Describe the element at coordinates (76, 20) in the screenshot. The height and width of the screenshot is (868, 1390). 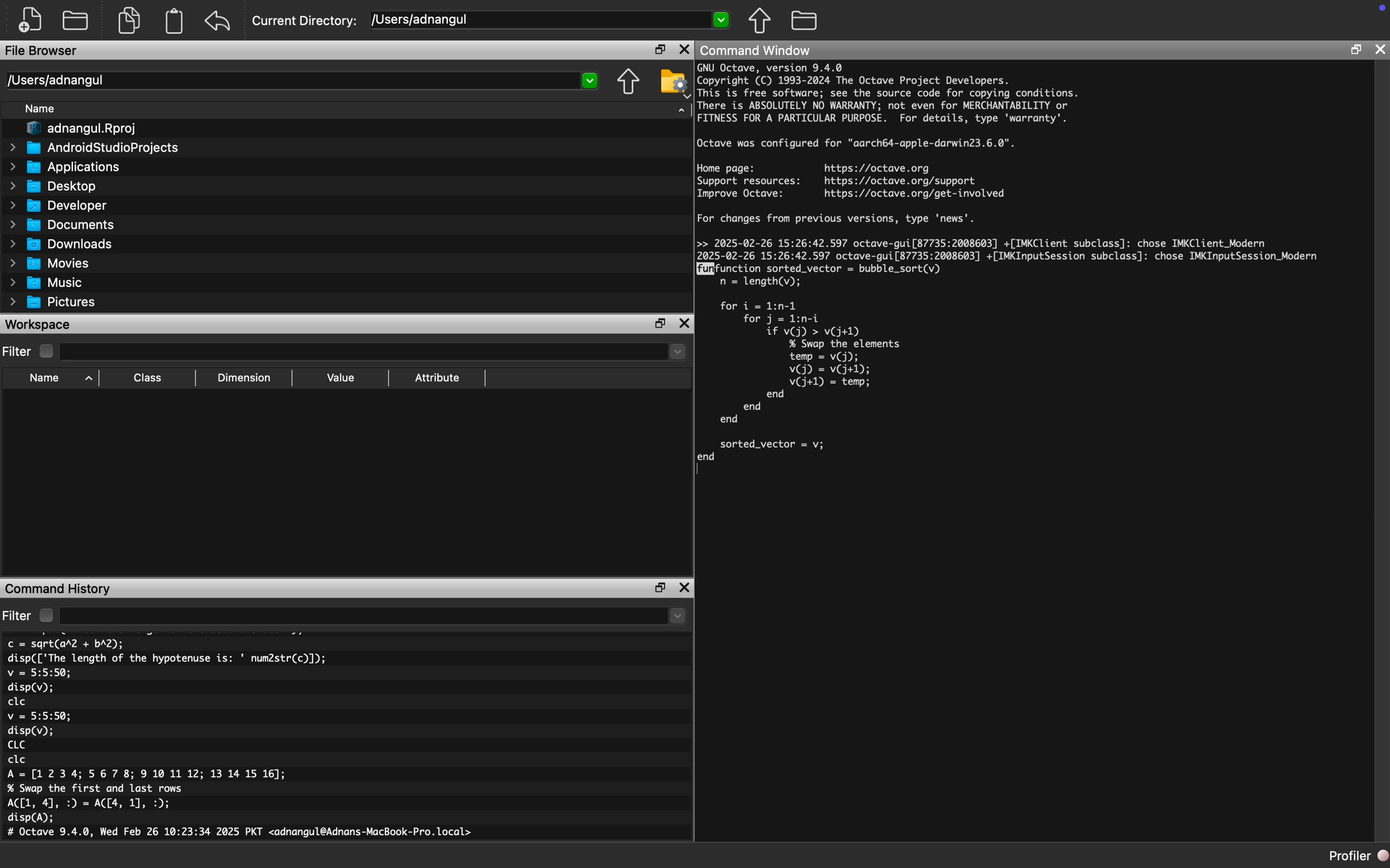
I see `Folder` at that location.